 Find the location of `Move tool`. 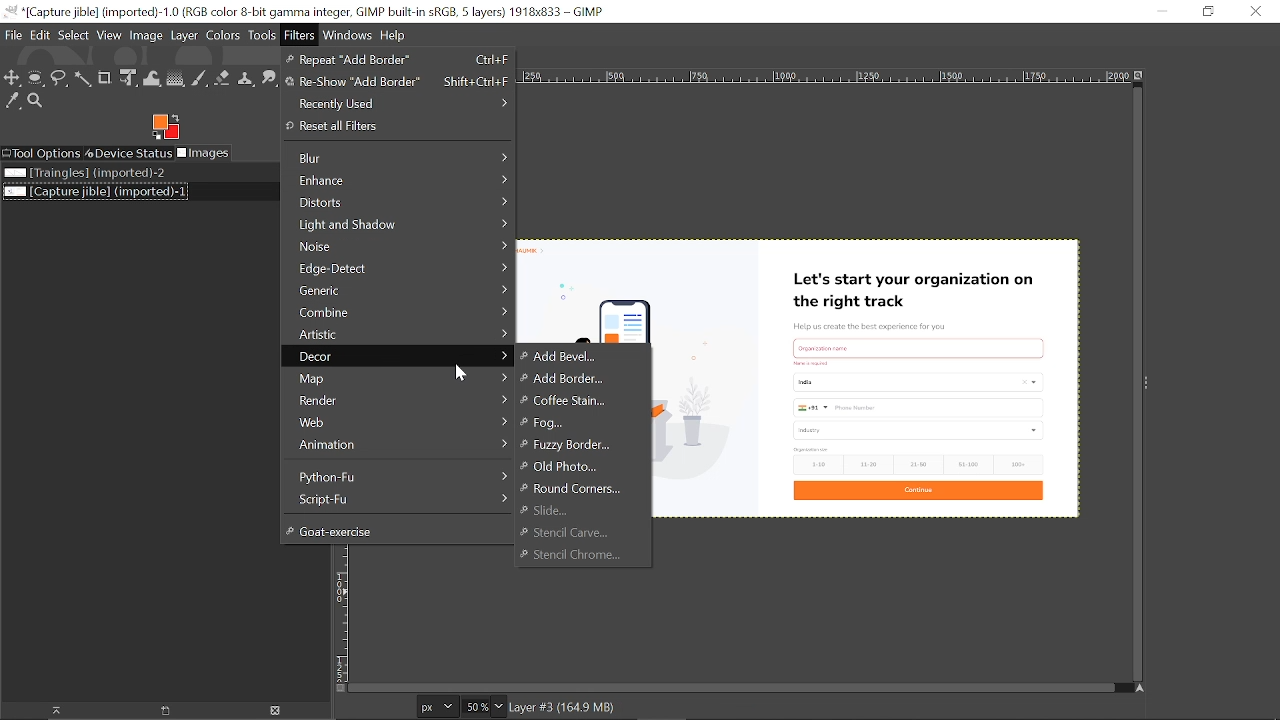

Move tool is located at coordinates (13, 78).